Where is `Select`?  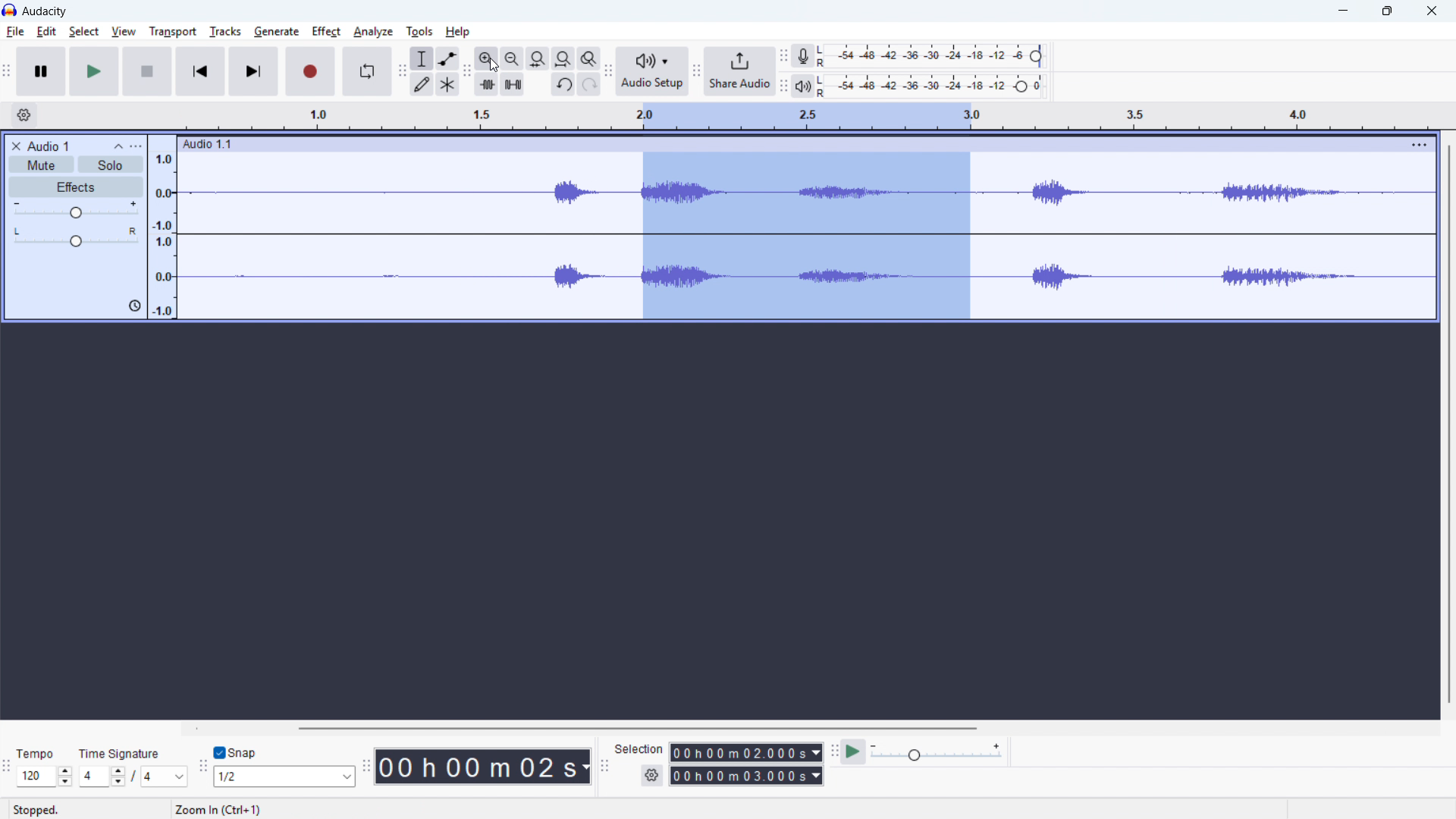 Select is located at coordinates (83, 32).